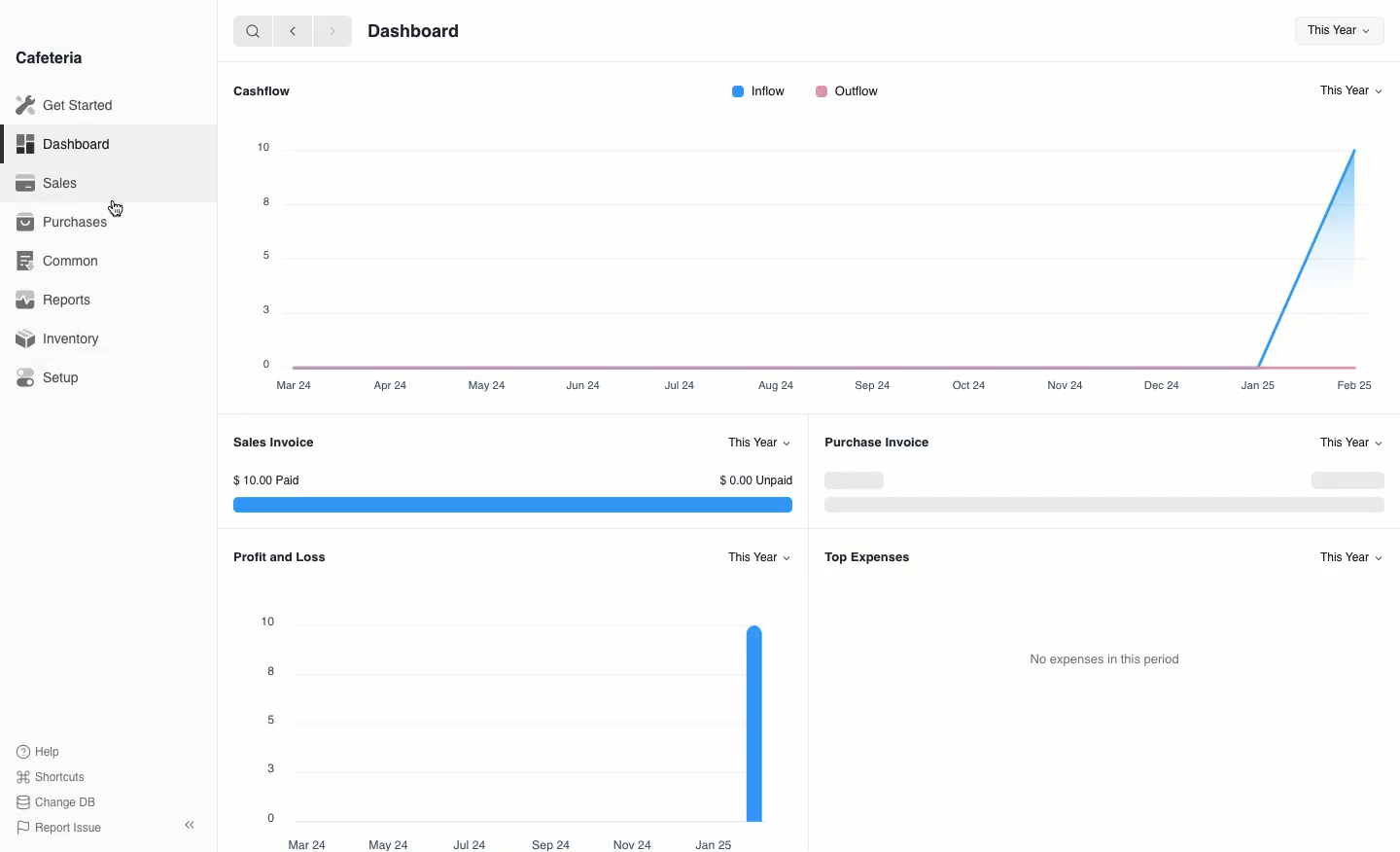 The image size is (1400, 852). What do you see at coordinates (584, 386) in the screenshot?
I see `Jun 24` at bounding box center [584, 386].